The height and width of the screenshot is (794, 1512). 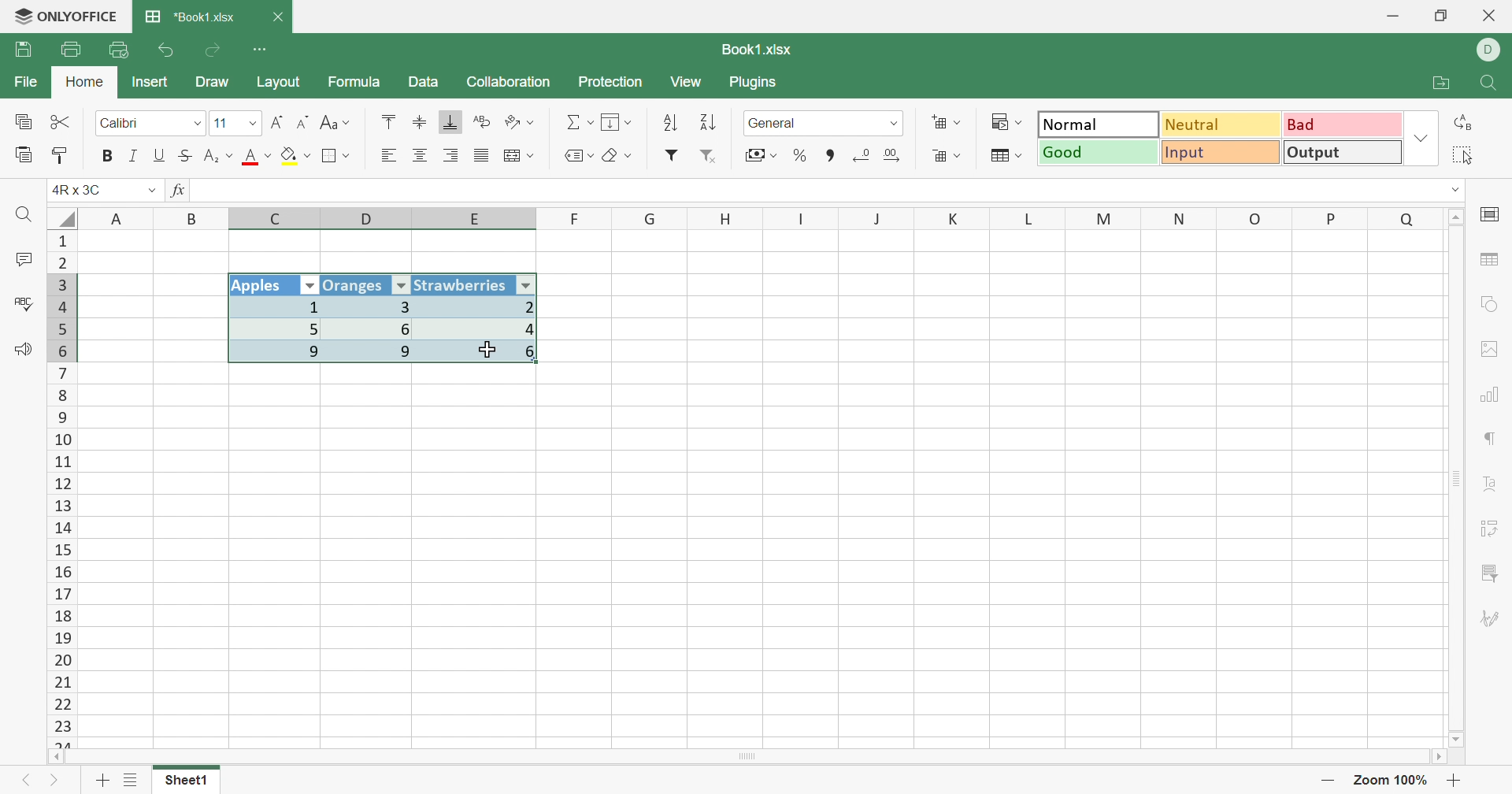 What do you see at coordinates (24, 784) in the screenshot?
I see `Previous` at bounding box center [24, 784].